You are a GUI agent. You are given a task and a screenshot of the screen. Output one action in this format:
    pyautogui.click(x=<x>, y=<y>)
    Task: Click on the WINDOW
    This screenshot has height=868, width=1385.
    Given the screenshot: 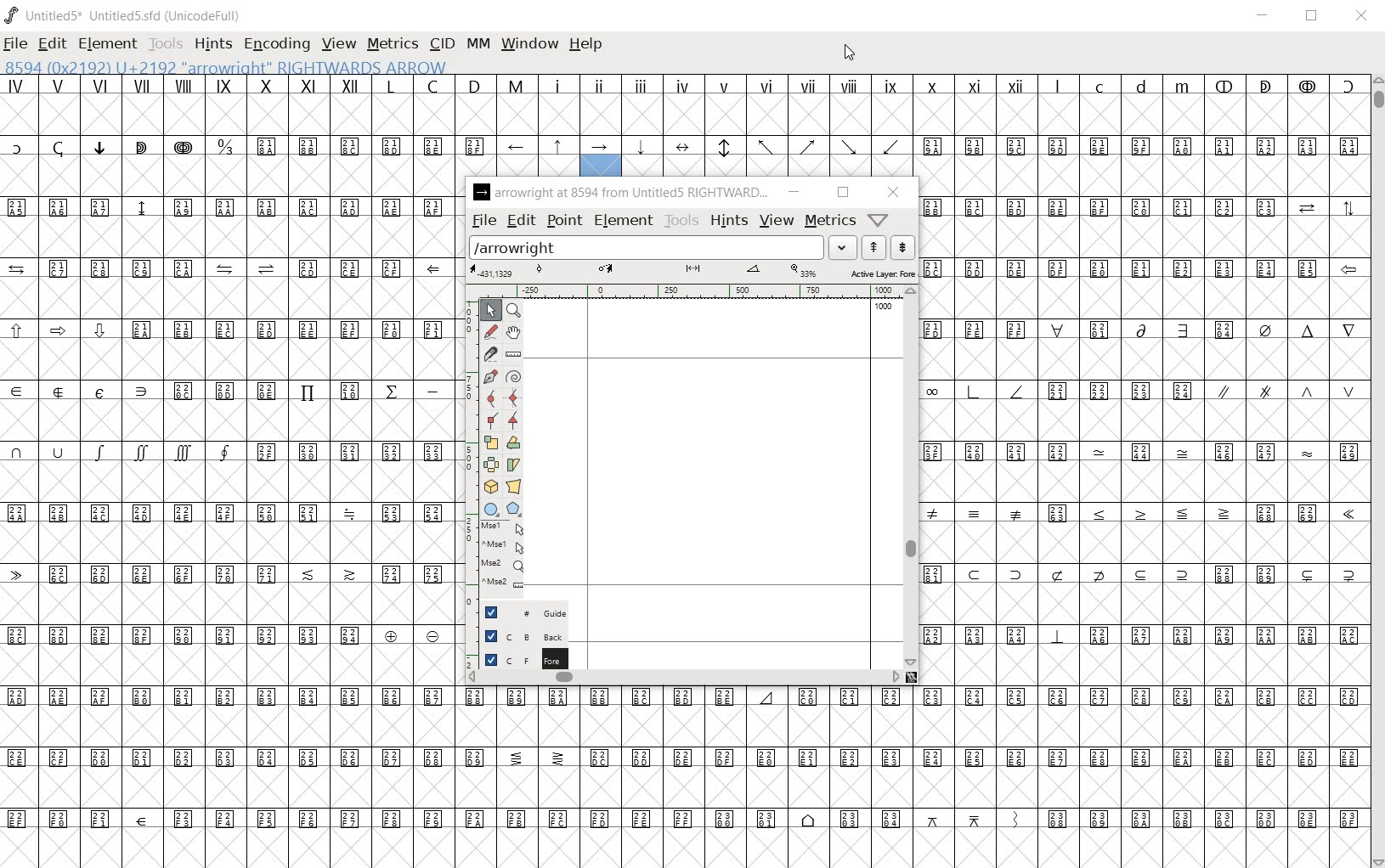 What is the action you would take?
    pyautogui.click(x=531, y=45)
    